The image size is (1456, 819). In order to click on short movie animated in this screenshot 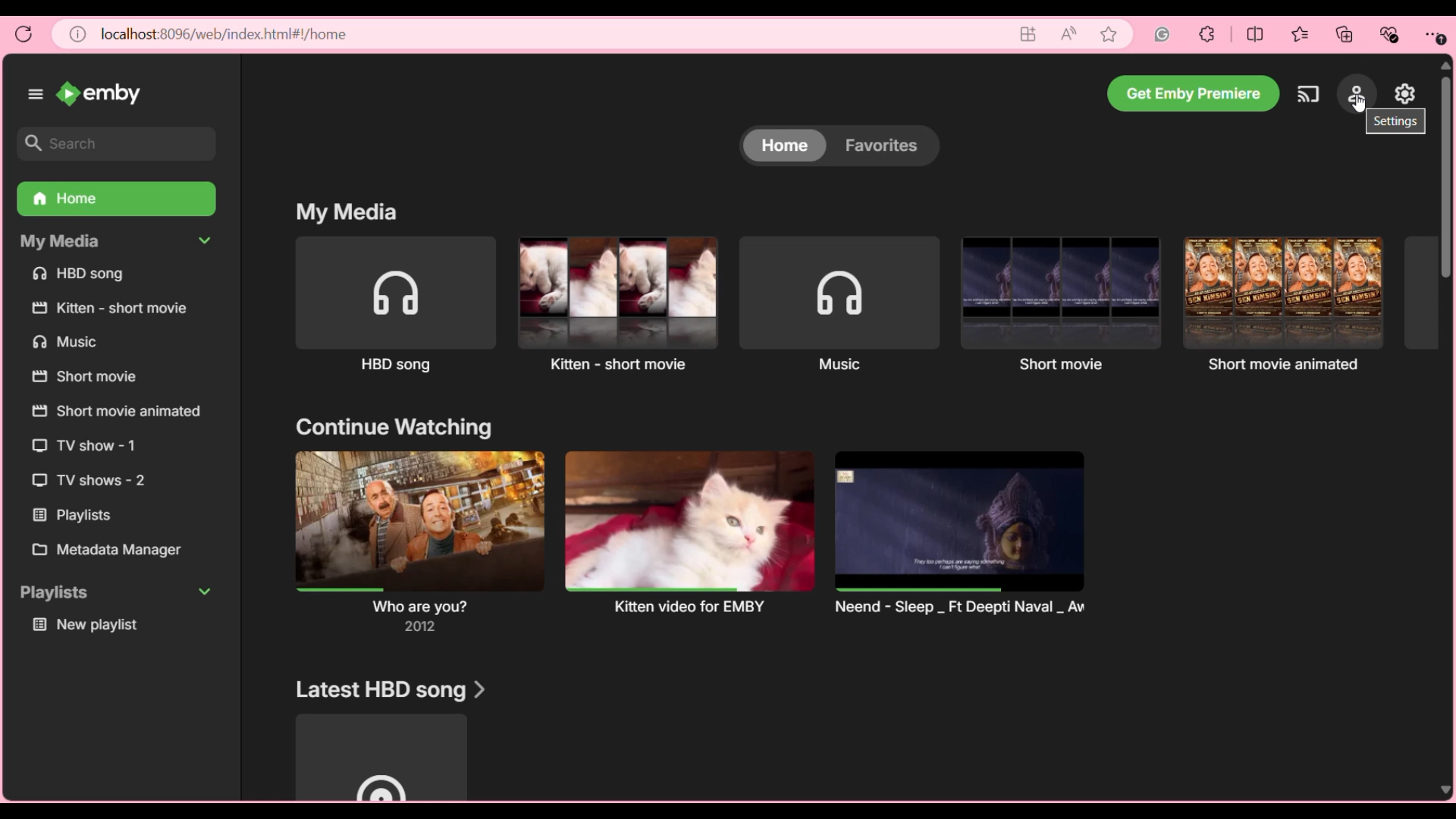, I will do `click(1285, 305)`.